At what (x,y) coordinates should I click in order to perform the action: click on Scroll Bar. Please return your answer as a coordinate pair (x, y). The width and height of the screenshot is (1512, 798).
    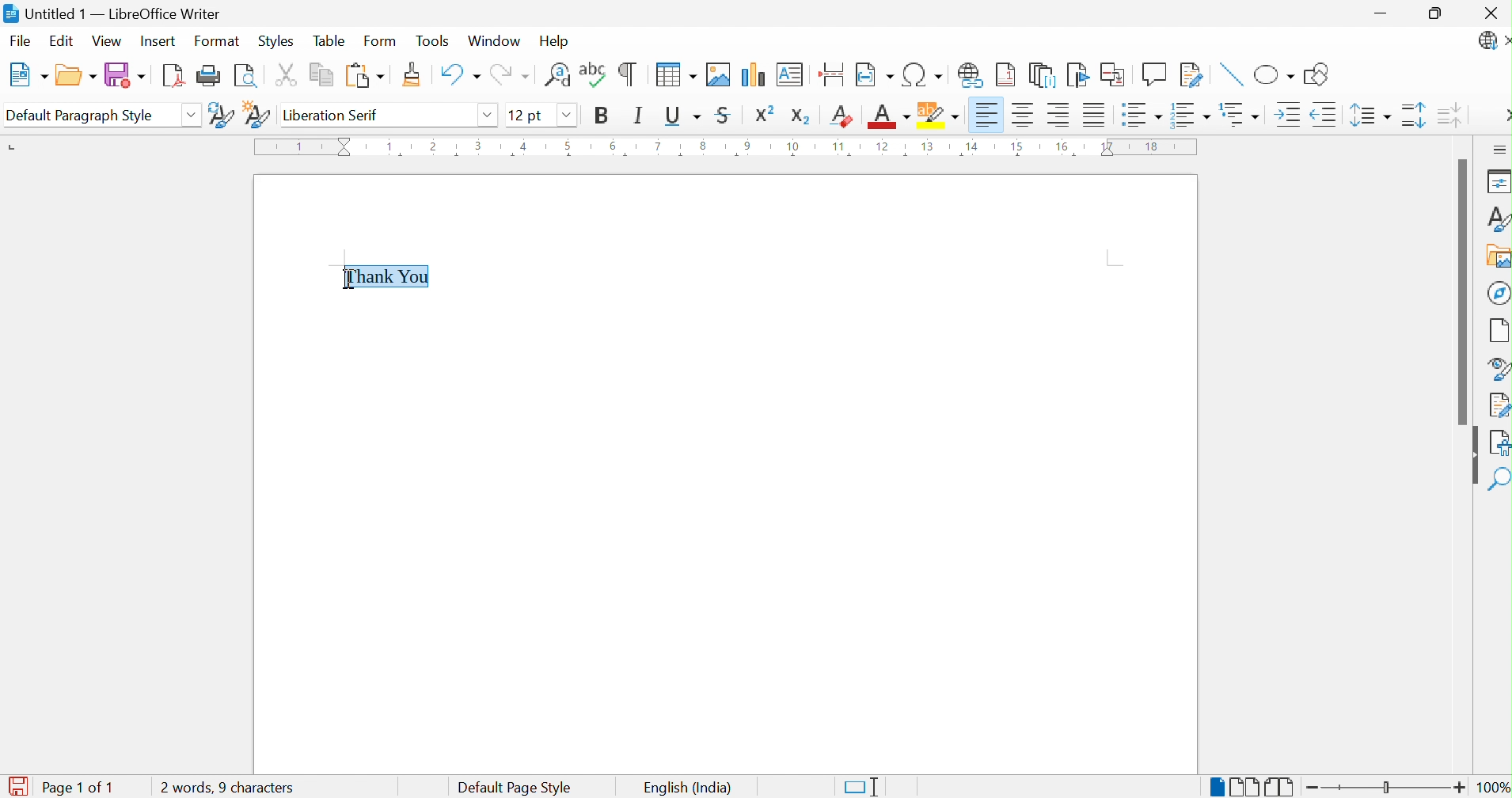
    Looking at the image, I should click on (1457, 291).